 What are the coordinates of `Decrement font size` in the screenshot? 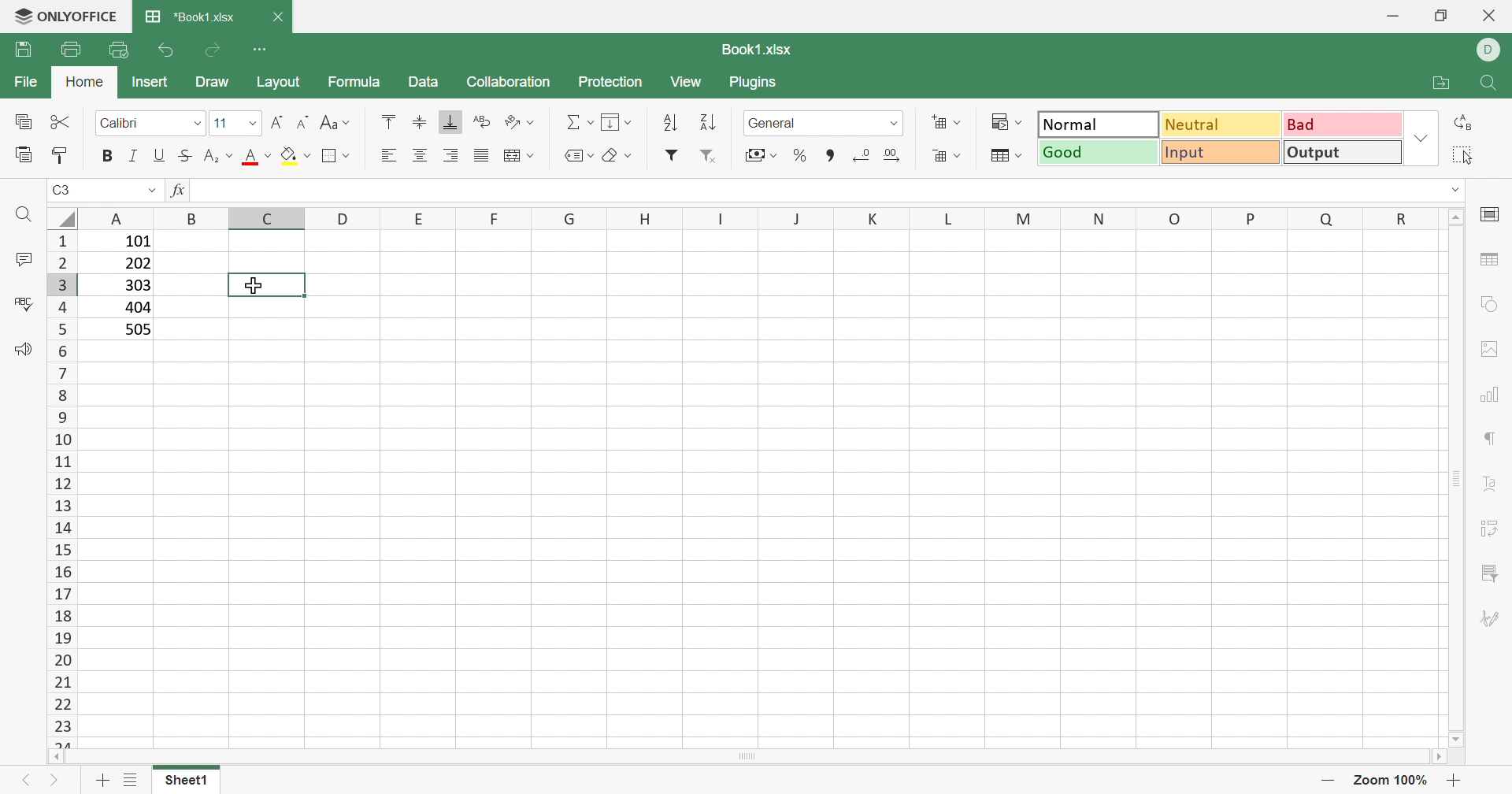 It's located at (301, 121).